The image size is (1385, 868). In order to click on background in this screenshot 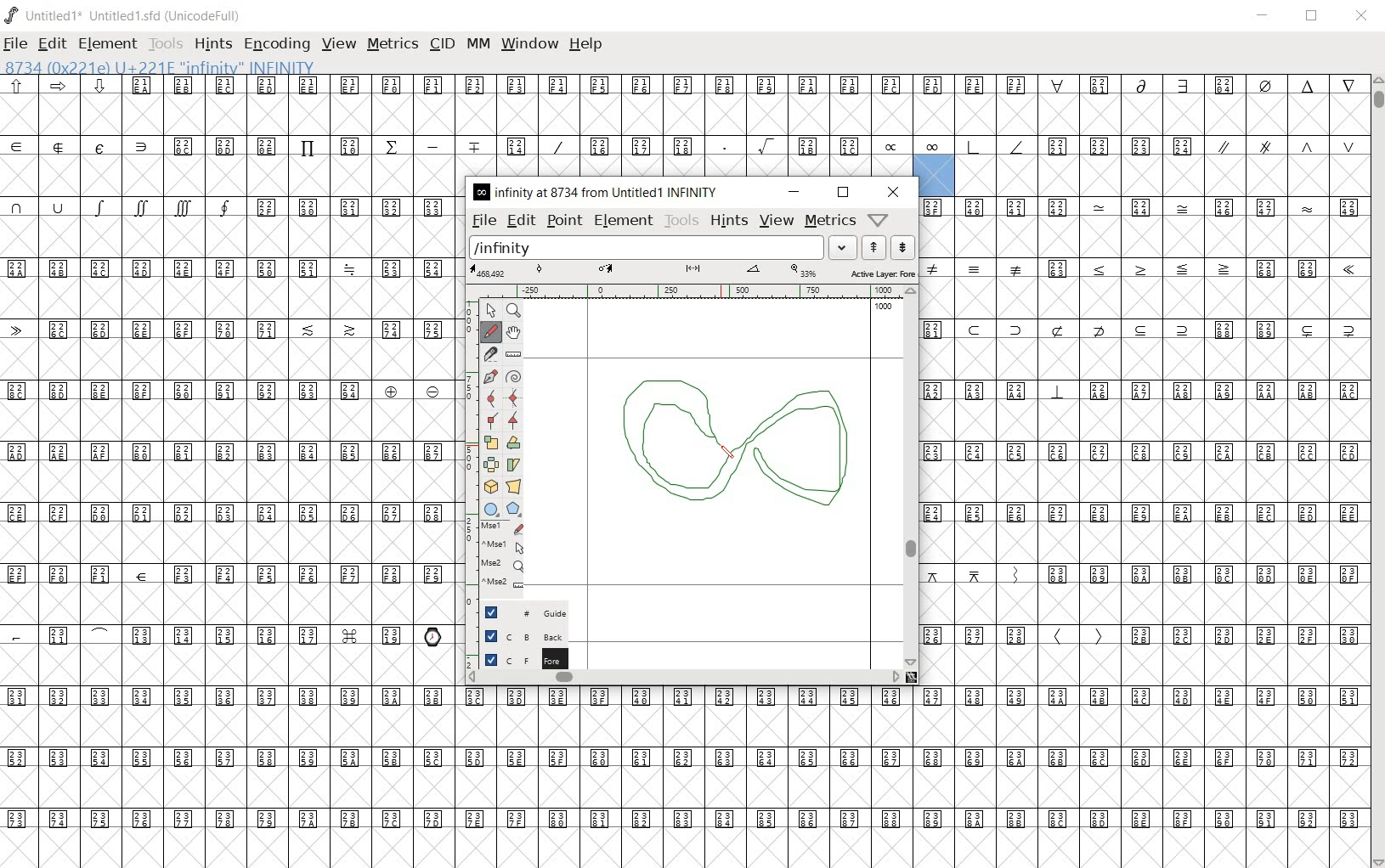, I will do `click(517, 636)`.